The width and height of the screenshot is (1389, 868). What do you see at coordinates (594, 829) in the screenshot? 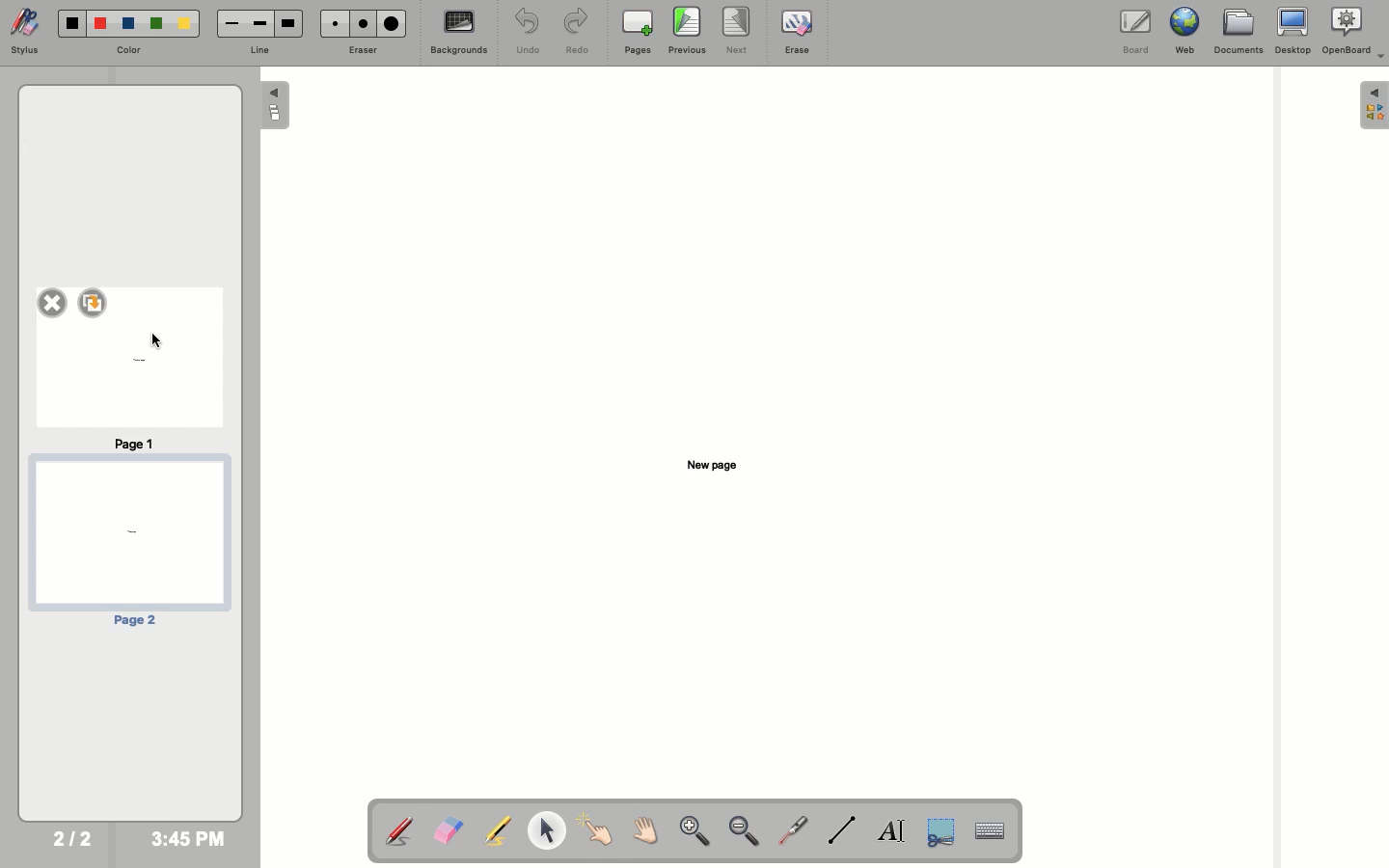
I see `Interact with items` at bounding box center [594, 829].